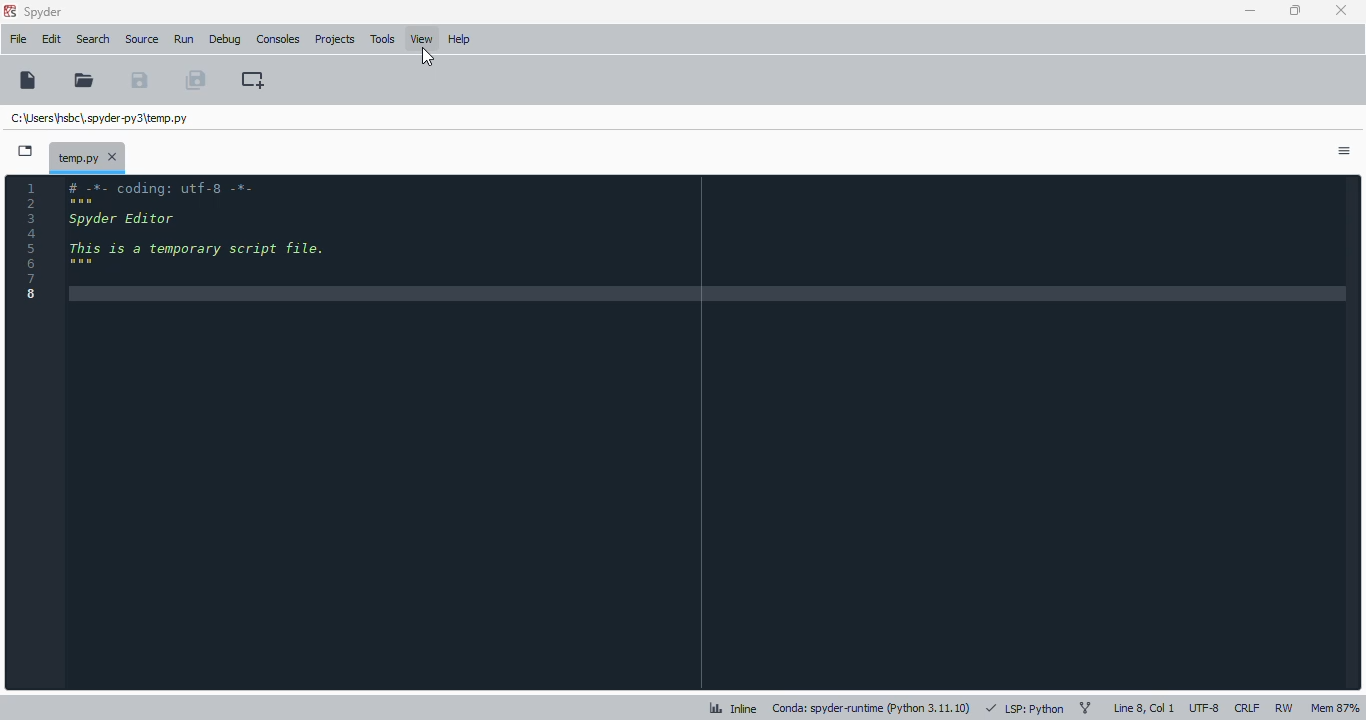  I want to click on new file, so click(27, 79).